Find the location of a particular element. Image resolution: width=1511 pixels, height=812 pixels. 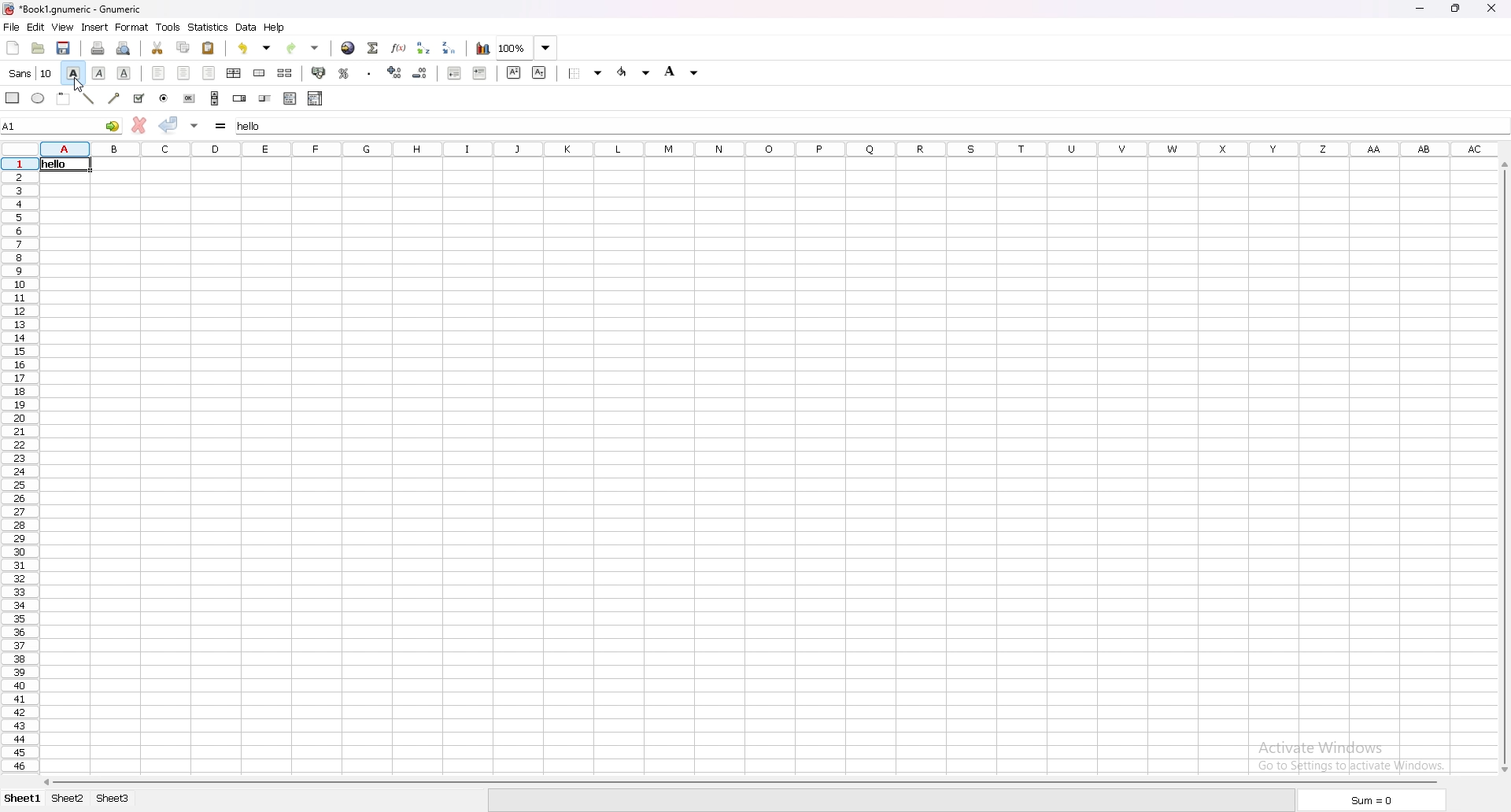

sheet 1 is located at coordinates (25, 799).